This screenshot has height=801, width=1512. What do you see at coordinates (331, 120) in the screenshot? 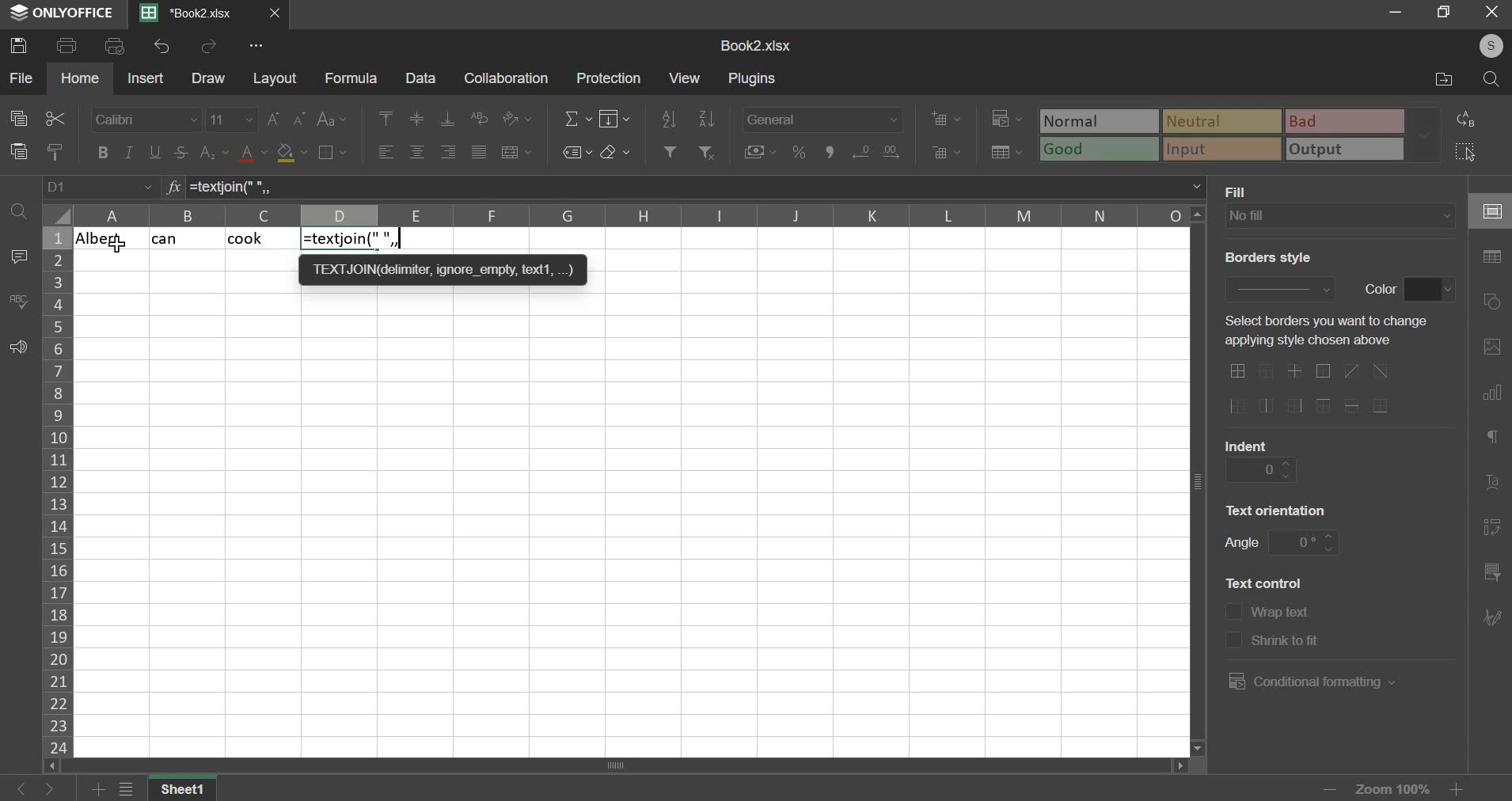
I see `change case` at bounding box center [331, 120].